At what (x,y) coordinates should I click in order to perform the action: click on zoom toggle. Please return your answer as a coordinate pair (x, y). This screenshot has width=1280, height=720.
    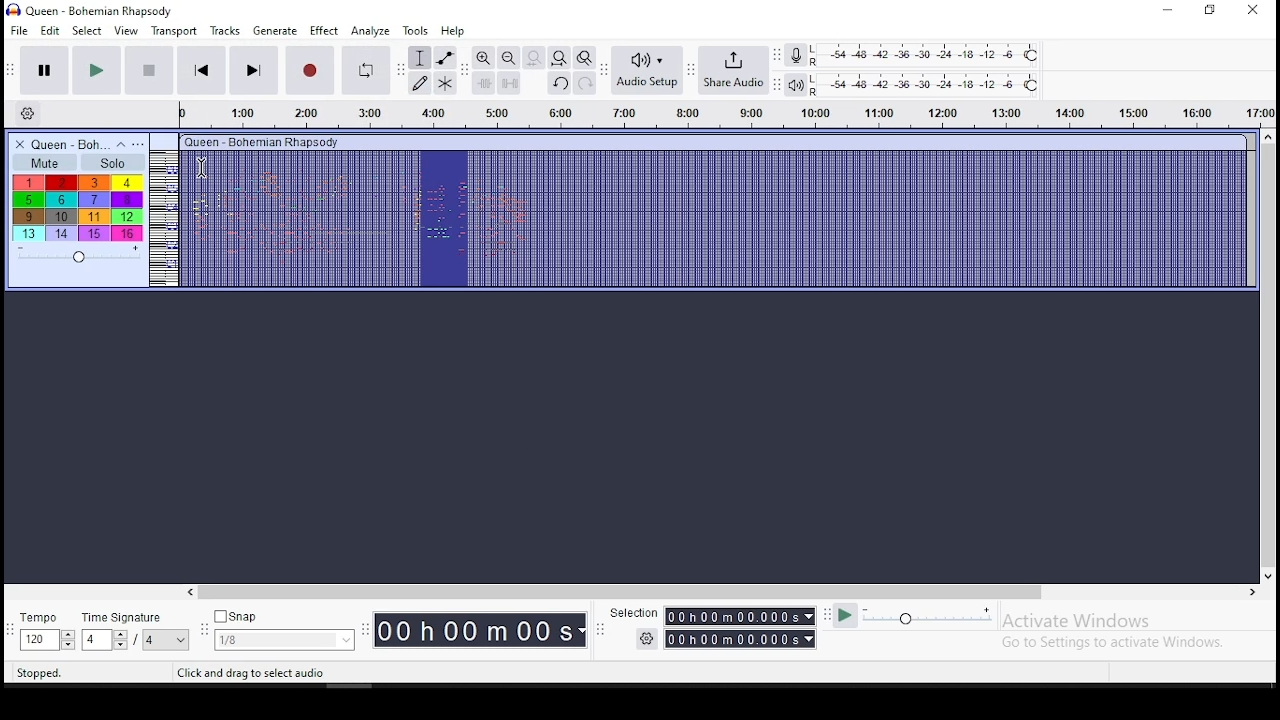
    Looking at the image, I should click on (584, 58).